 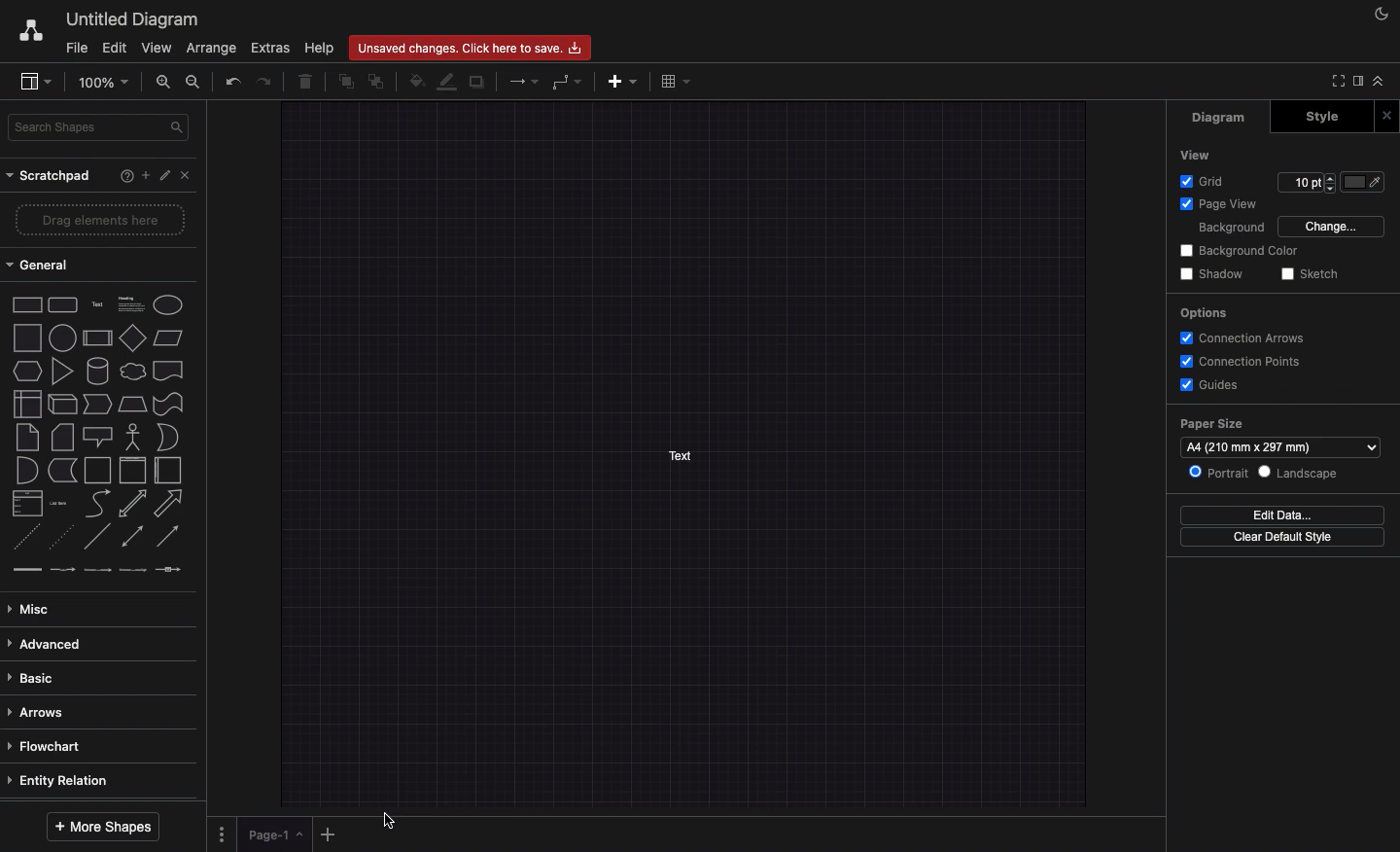 I want to click on Page 1, so click(x=276, y=834).